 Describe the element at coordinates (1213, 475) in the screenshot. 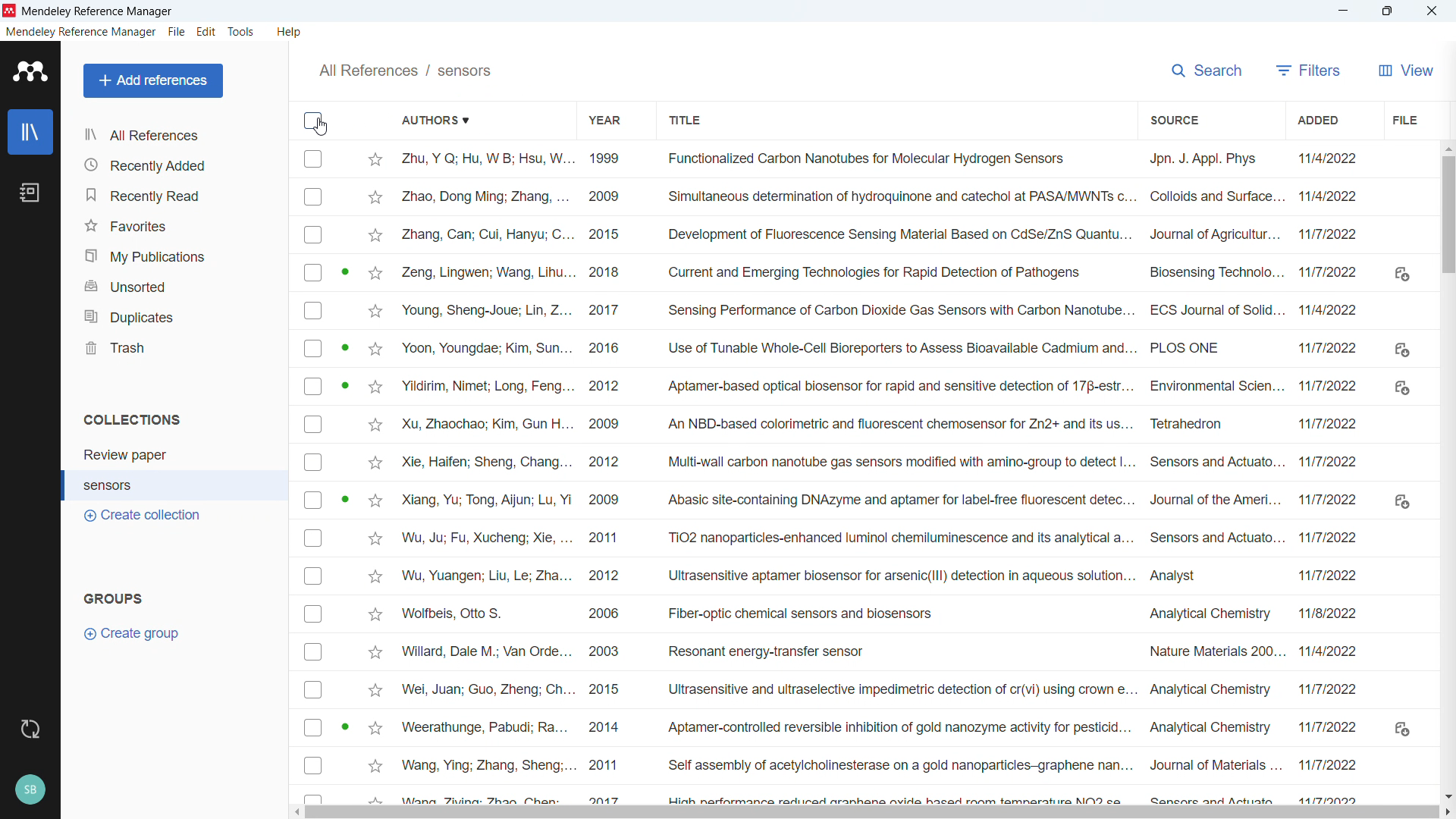

I see `Source of individual entries ` at that location.